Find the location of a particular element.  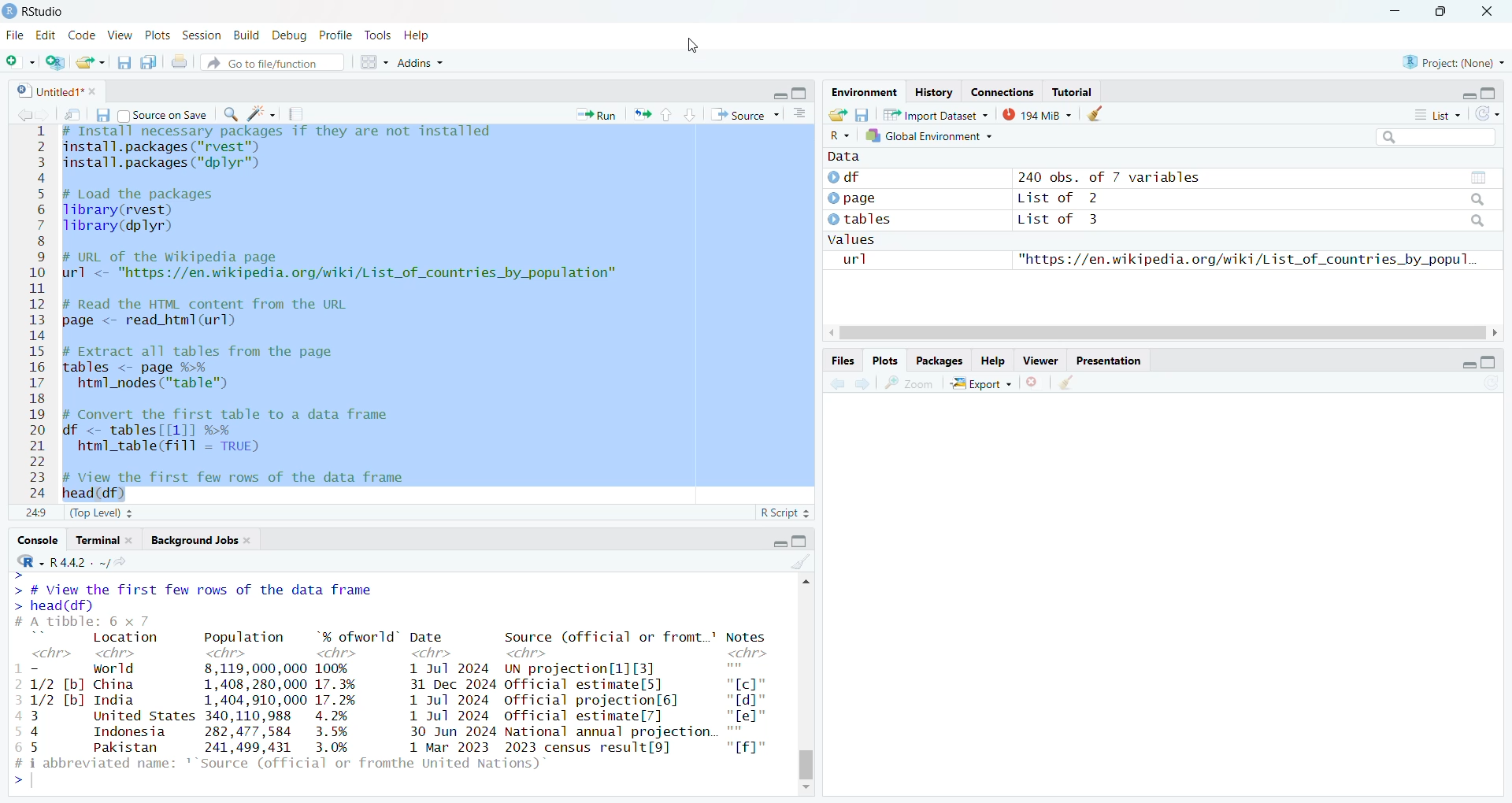

refresh is located at coordinates (1490, 382).